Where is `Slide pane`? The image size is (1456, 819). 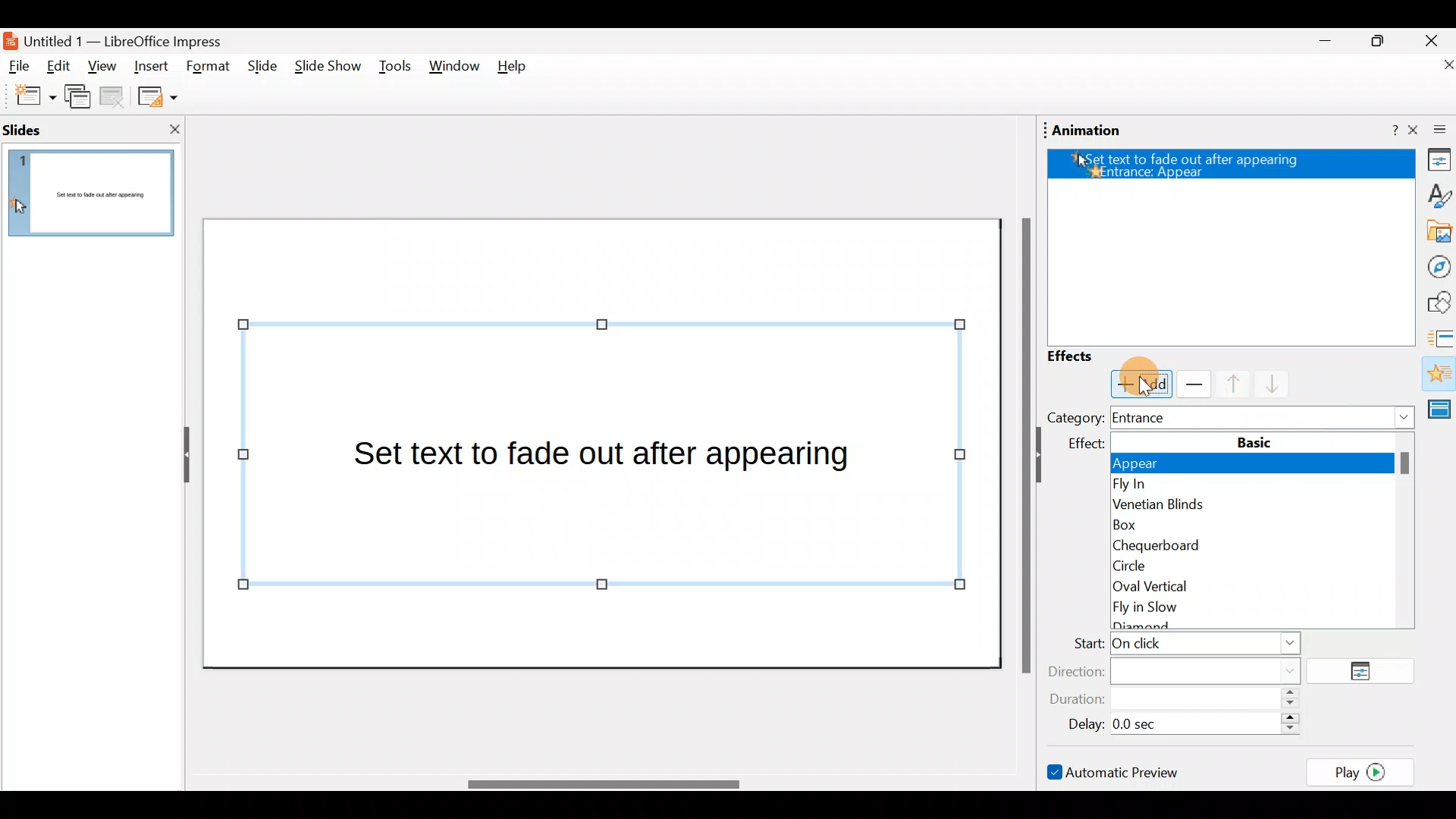 Slide pane is located at coordinates (95, 201).